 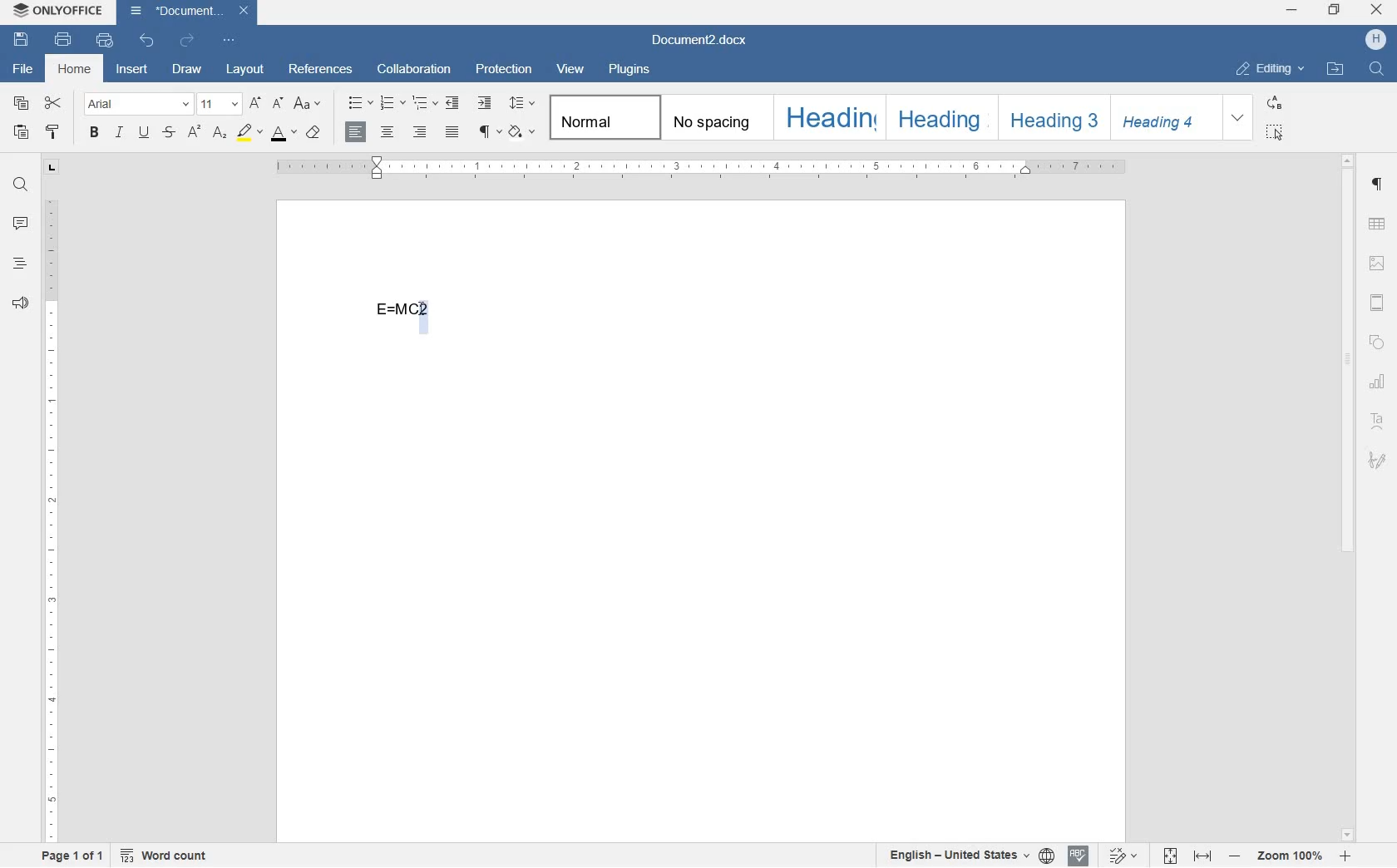 I want to click on text art, so click(x=1380, y=422).